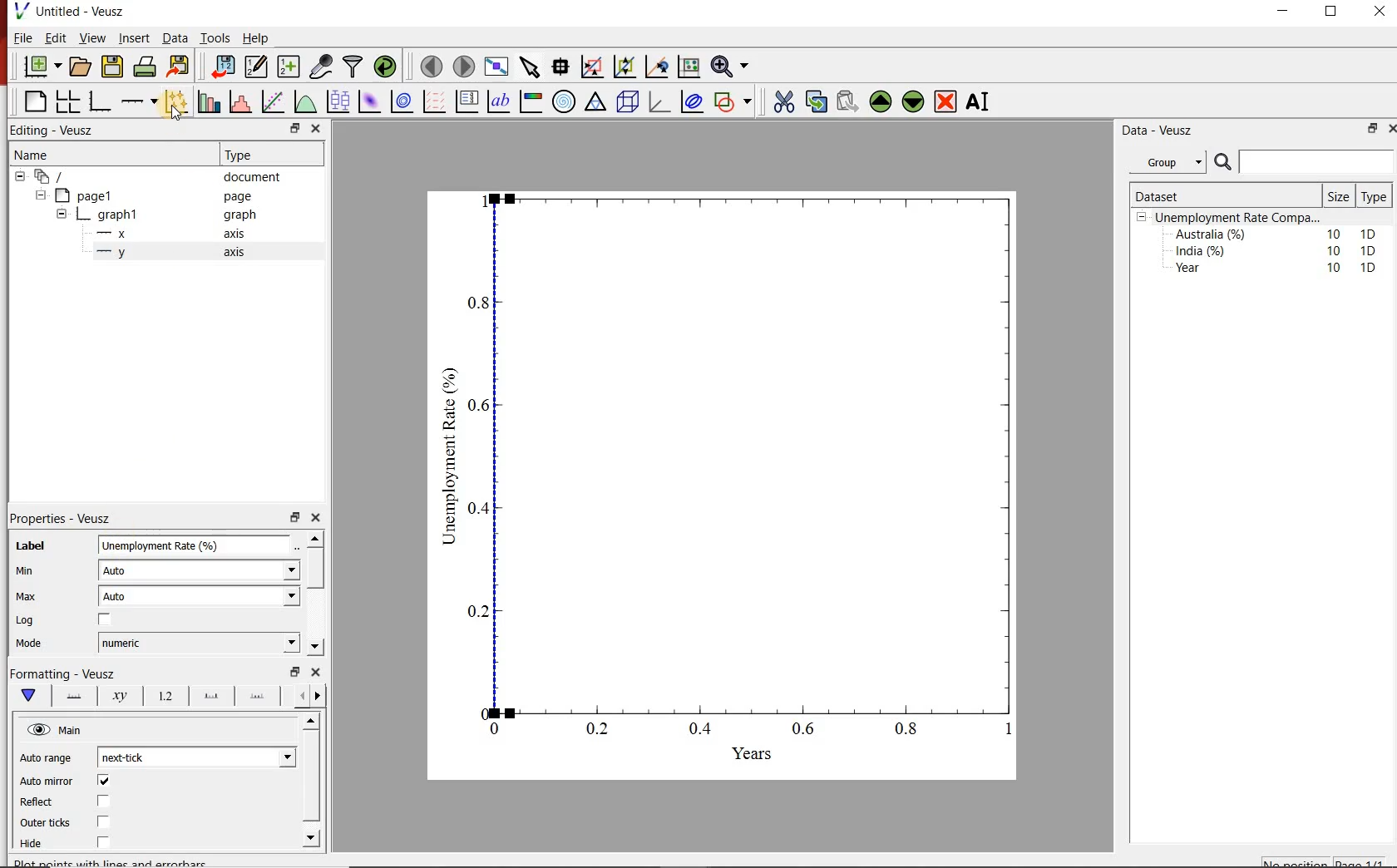 Image resolution: width=1397 pixels, height=868 pixels. Describe the element at coordinates (29, 547) in the screenshot. I see `Label` at that location.